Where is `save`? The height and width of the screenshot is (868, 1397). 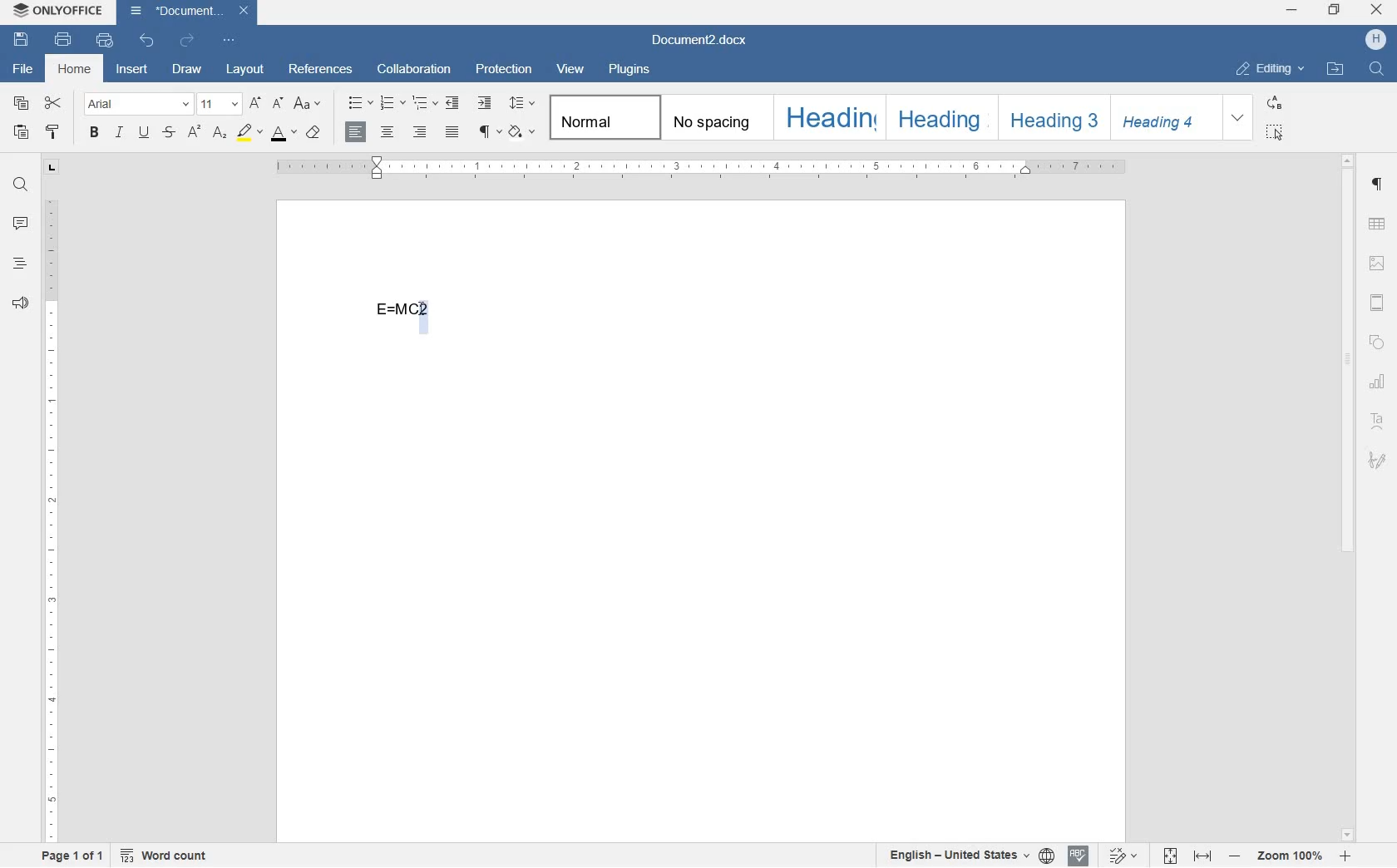
save is located at coordinates (21, 40).